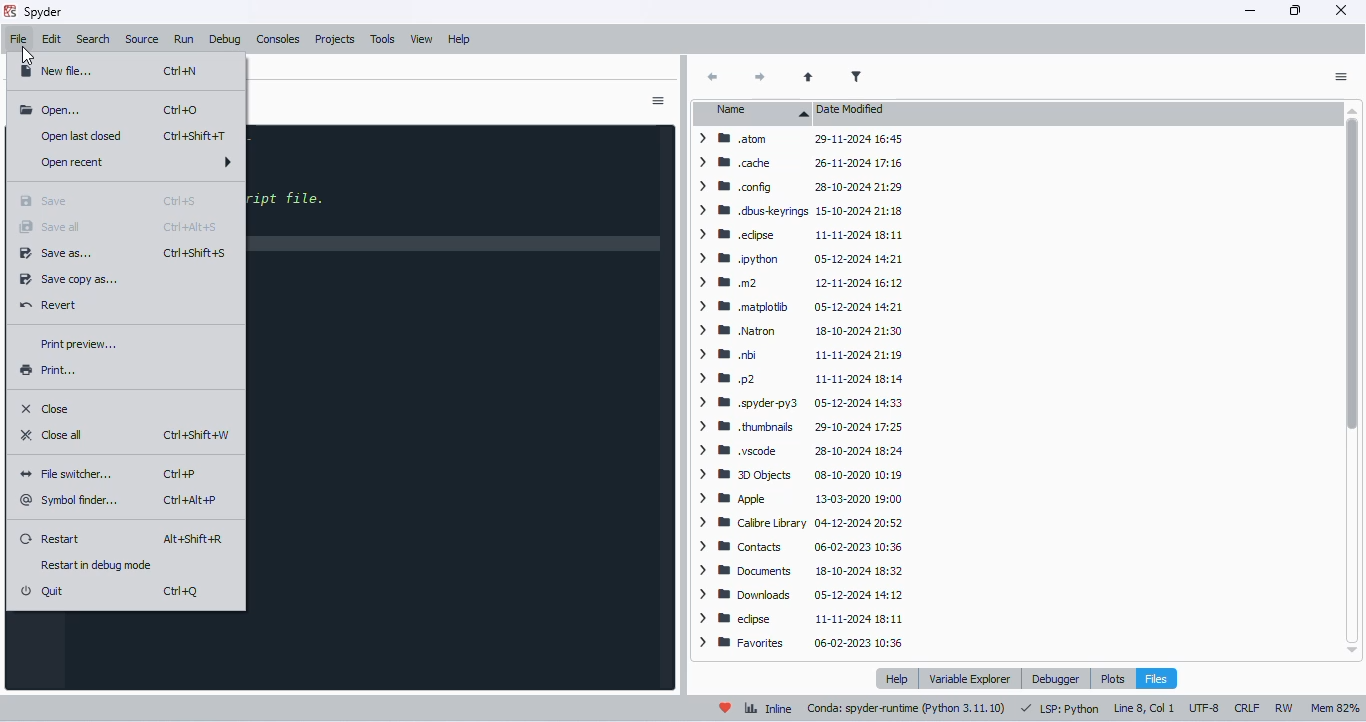 This screenshot has width=1366, height=722. Describe the element at coordinates (97, 565) in the screenshot. I see `restart debug mode` at that location.